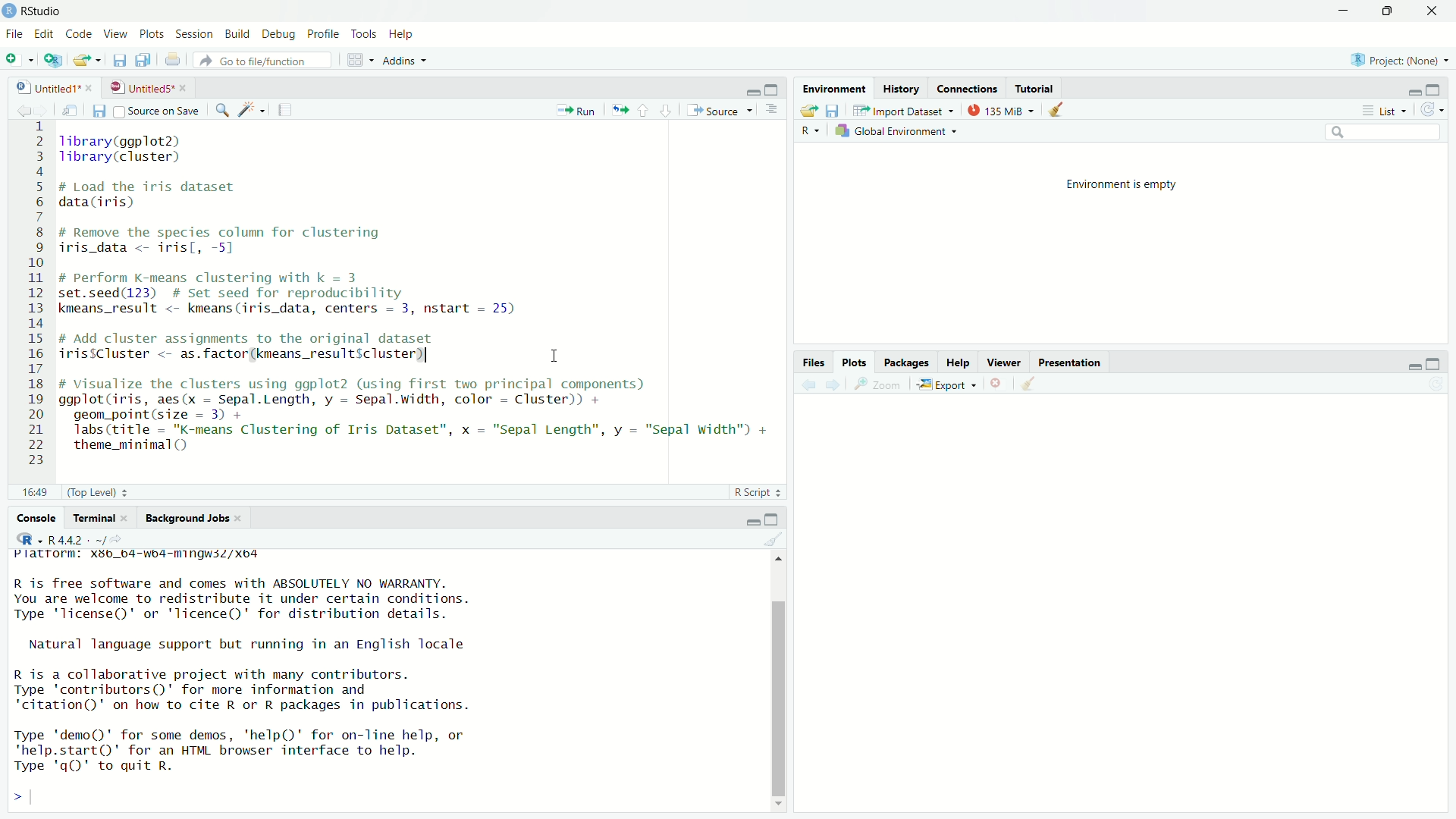 This screenshot has width=1456, height=819. I want to click on maximize, so click(1385, 11).